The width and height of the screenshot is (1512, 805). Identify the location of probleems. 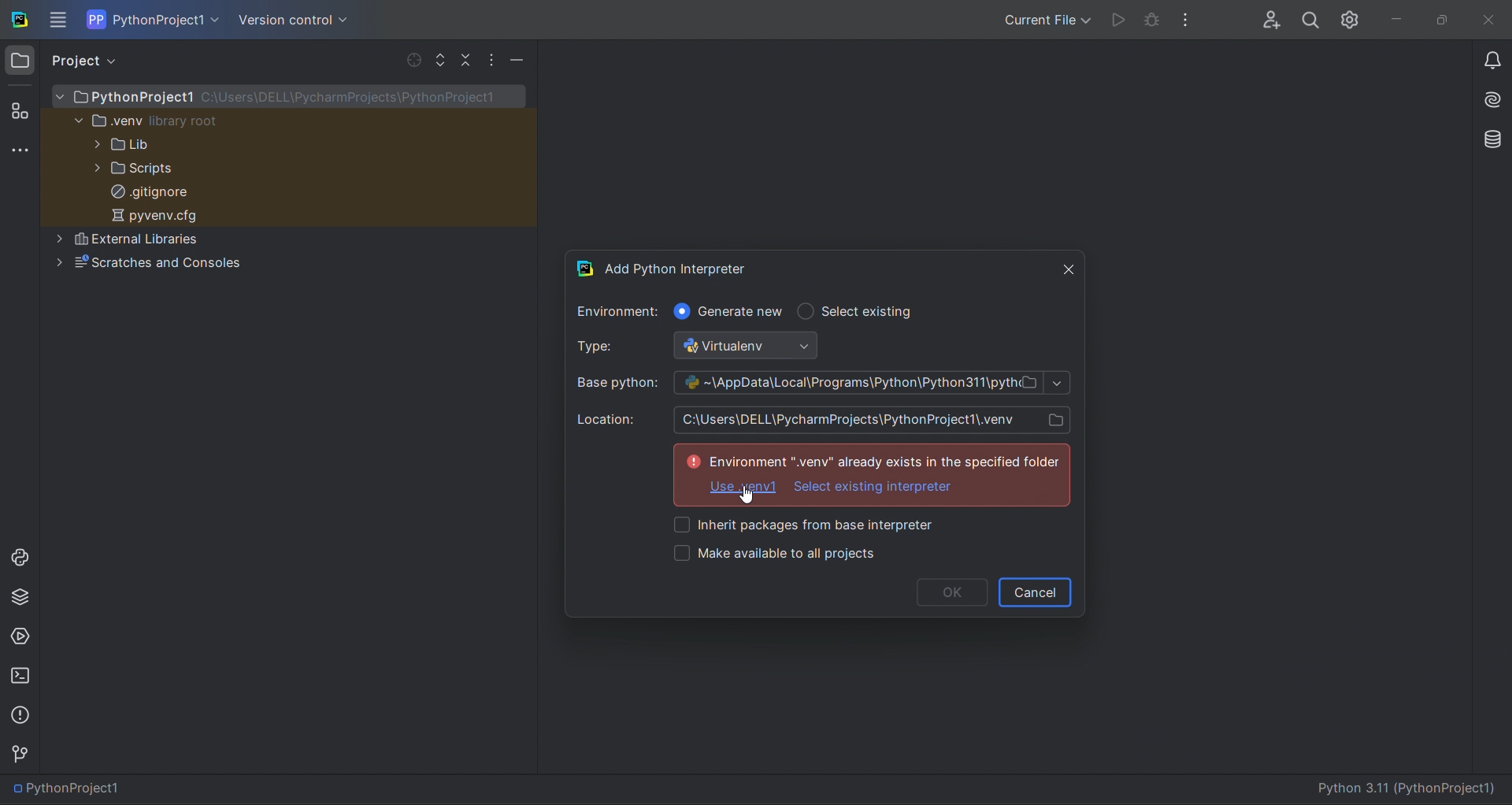
(23, 714).